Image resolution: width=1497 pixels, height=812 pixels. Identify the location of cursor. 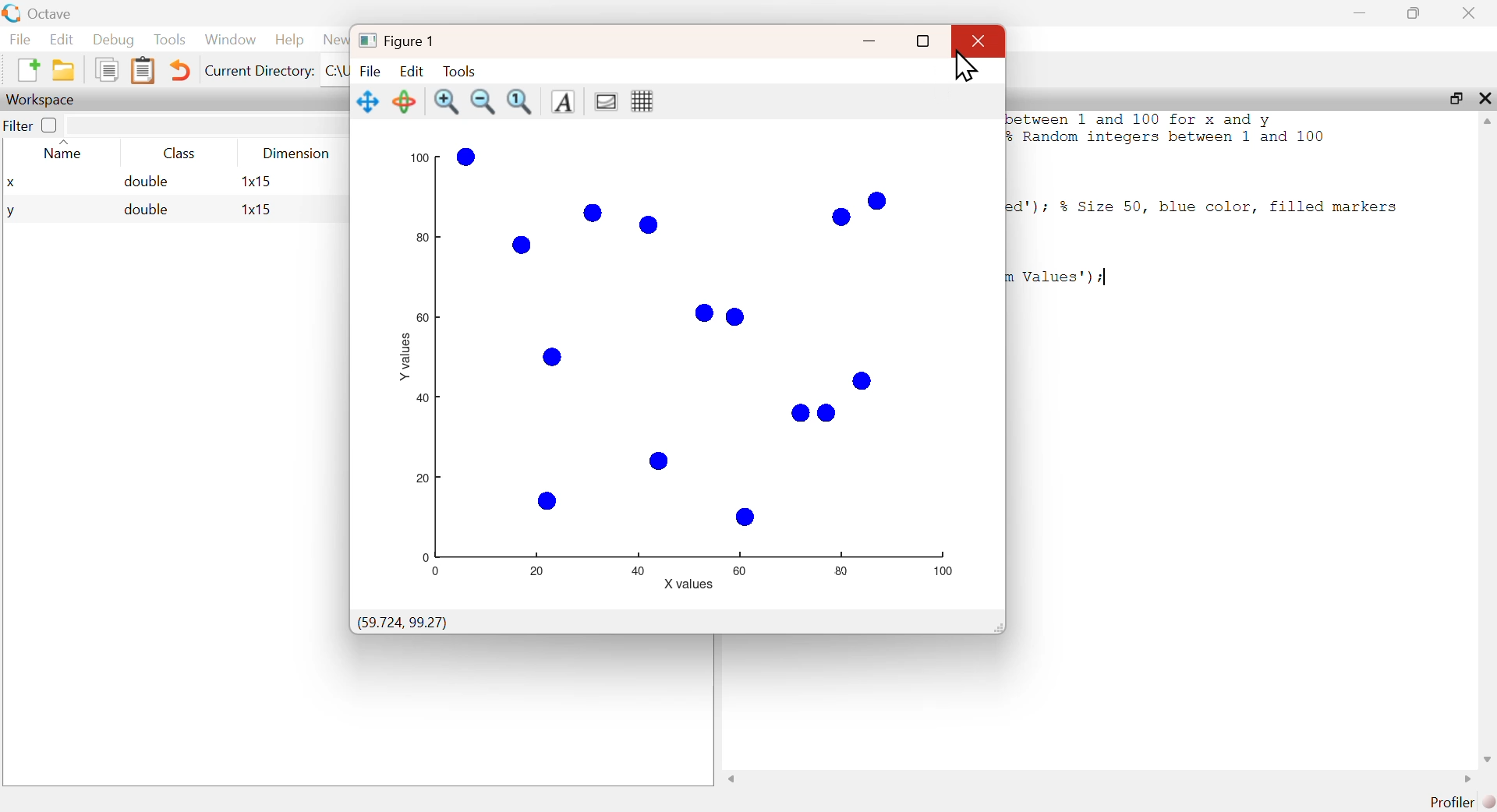
(964, 69).